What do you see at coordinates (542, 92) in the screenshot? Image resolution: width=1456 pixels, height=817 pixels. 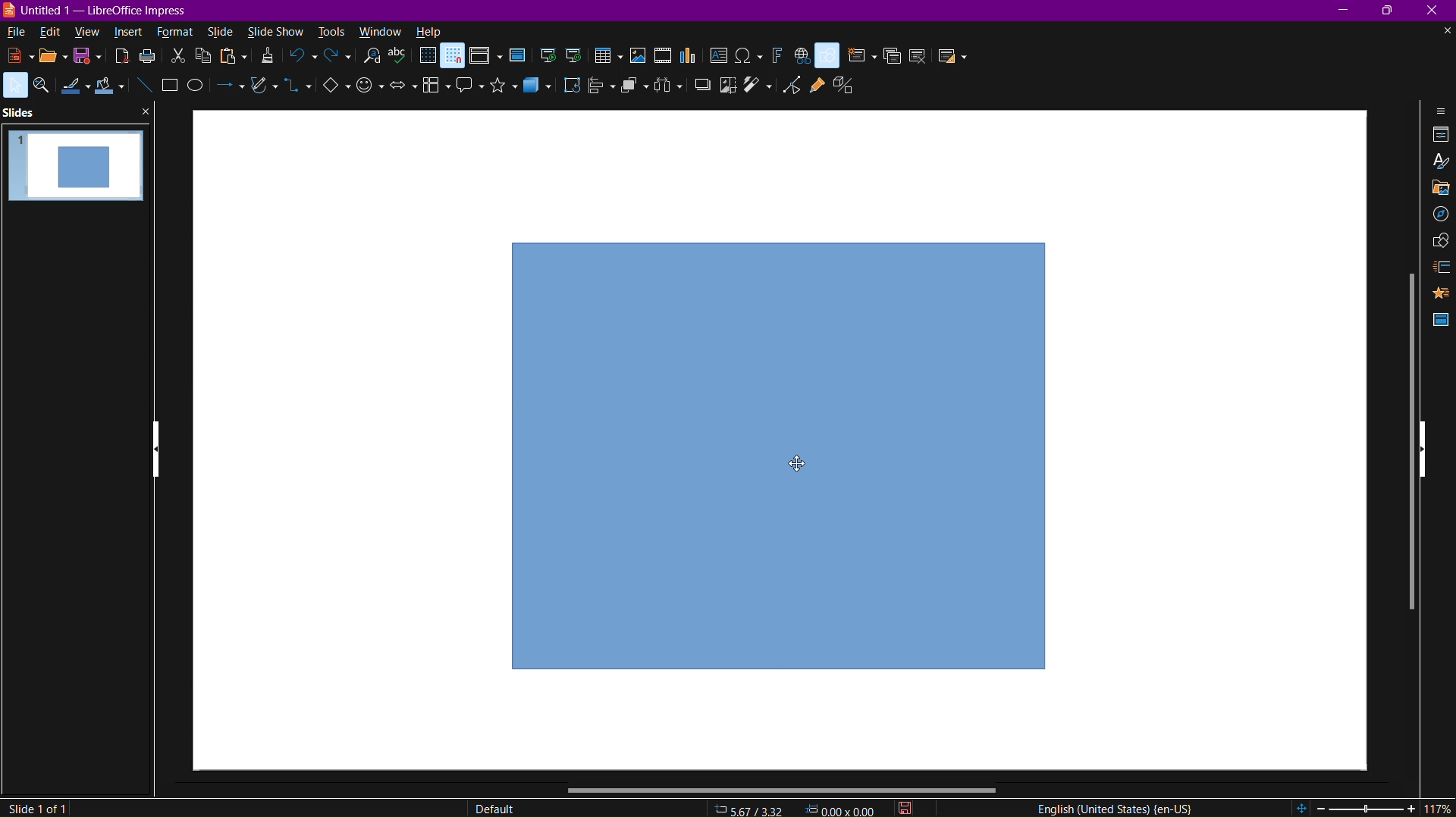 I see `3D objects` at bounding box center [542, 92].